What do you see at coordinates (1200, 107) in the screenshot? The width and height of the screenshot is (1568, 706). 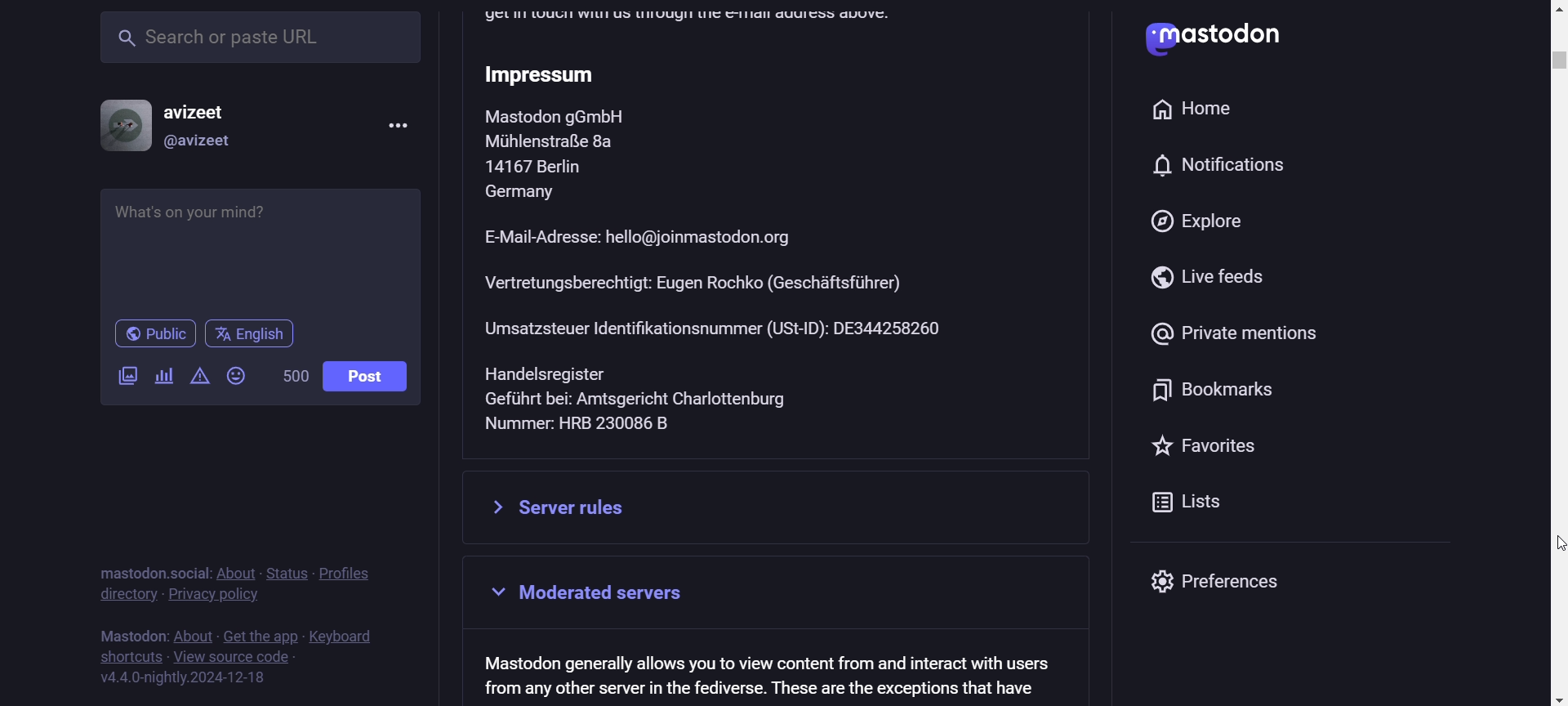 I see `home` at bounding box center [1200, 107].